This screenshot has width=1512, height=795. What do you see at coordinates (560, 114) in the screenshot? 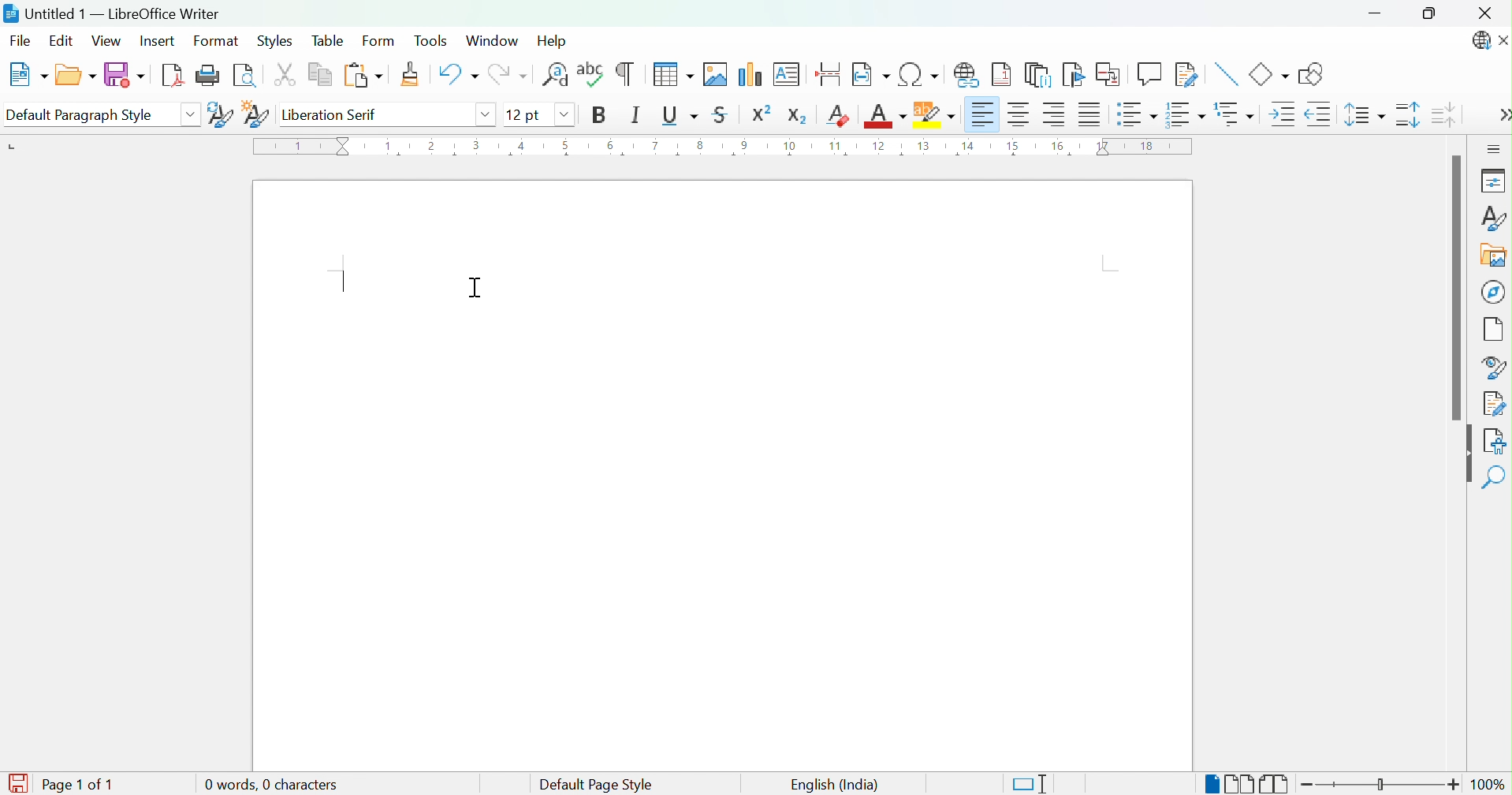
I see `Drop down` at bounding box center [560, 114].